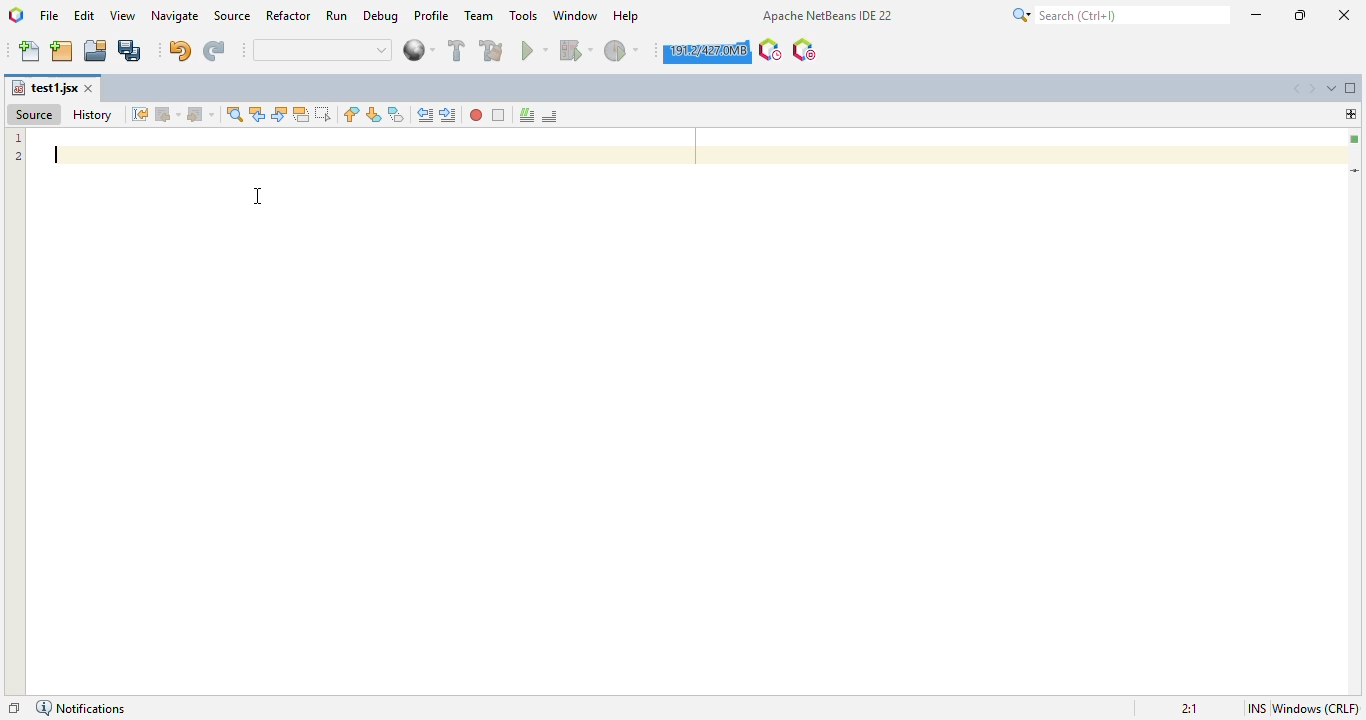  Describe the element at coordinates (1332, 88) in the screenshot. I see `show opened documents list` at that location.